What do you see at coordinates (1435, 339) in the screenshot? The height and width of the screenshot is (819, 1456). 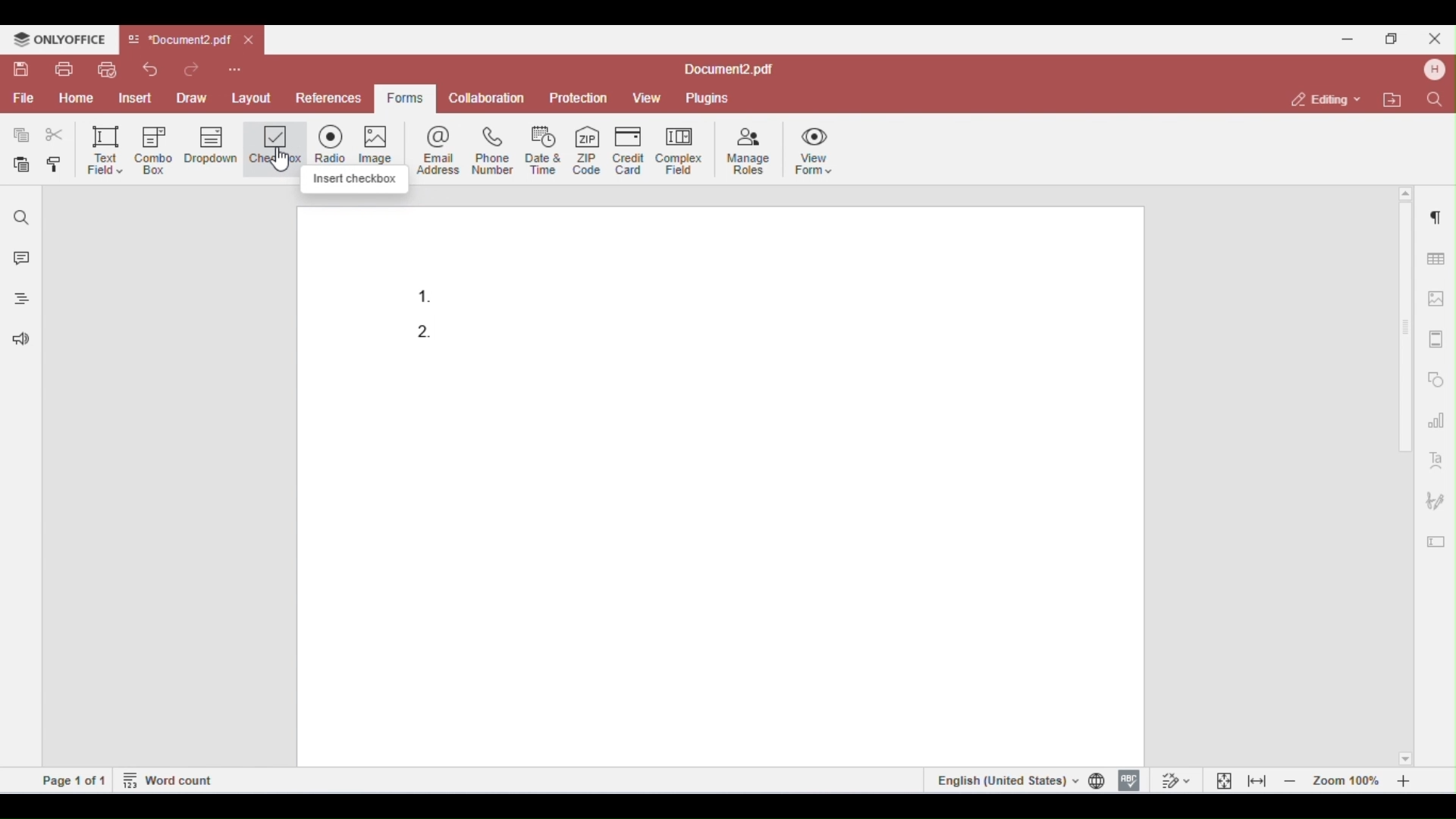 I see `header and footer settings` at bounding box center [1435, 339].